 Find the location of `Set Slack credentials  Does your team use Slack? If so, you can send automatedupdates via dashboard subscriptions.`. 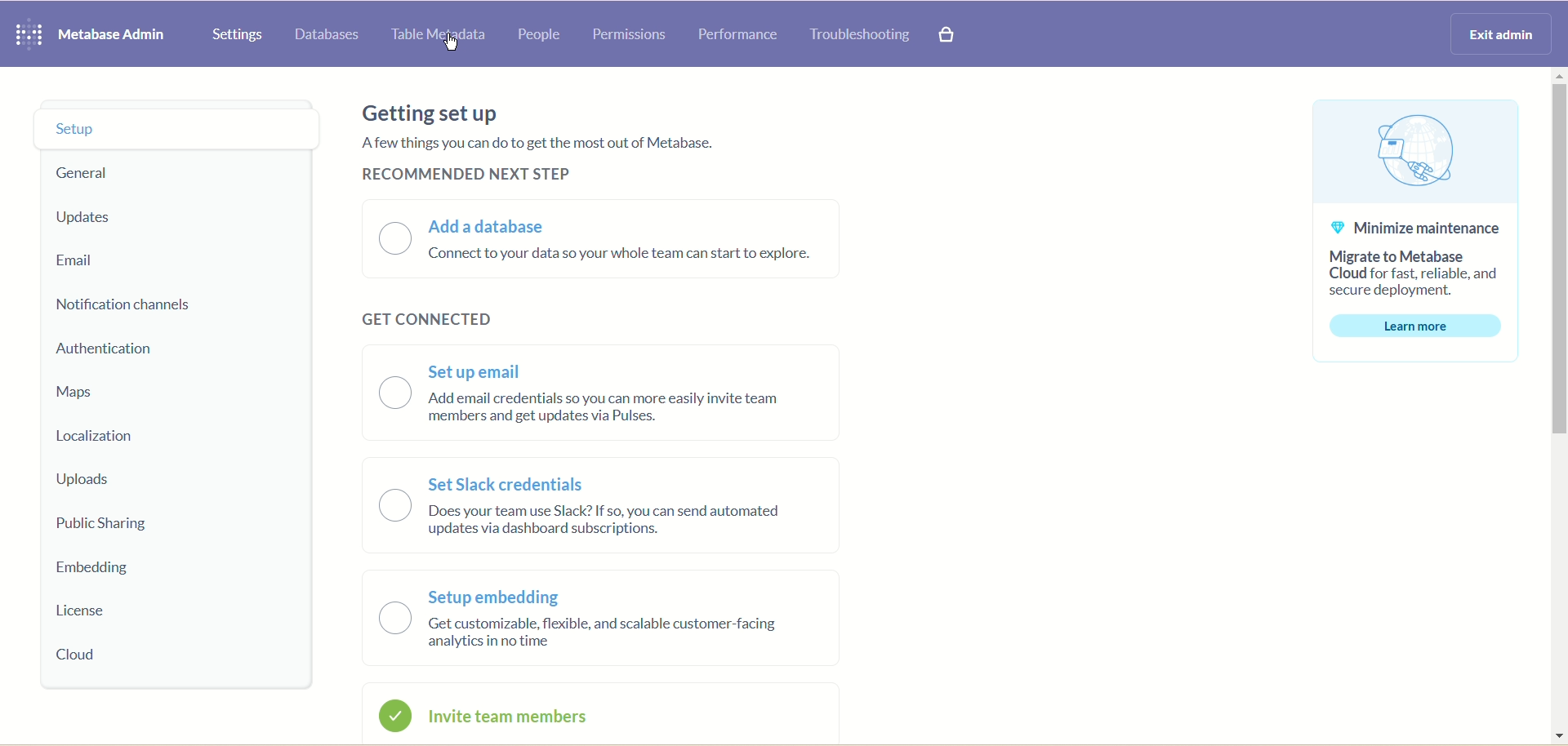

Set Slack credentials  Does your team use Slack? If so, you can send automatedupdates via dashboard subscriptions. is located at coordinates (603, 507).